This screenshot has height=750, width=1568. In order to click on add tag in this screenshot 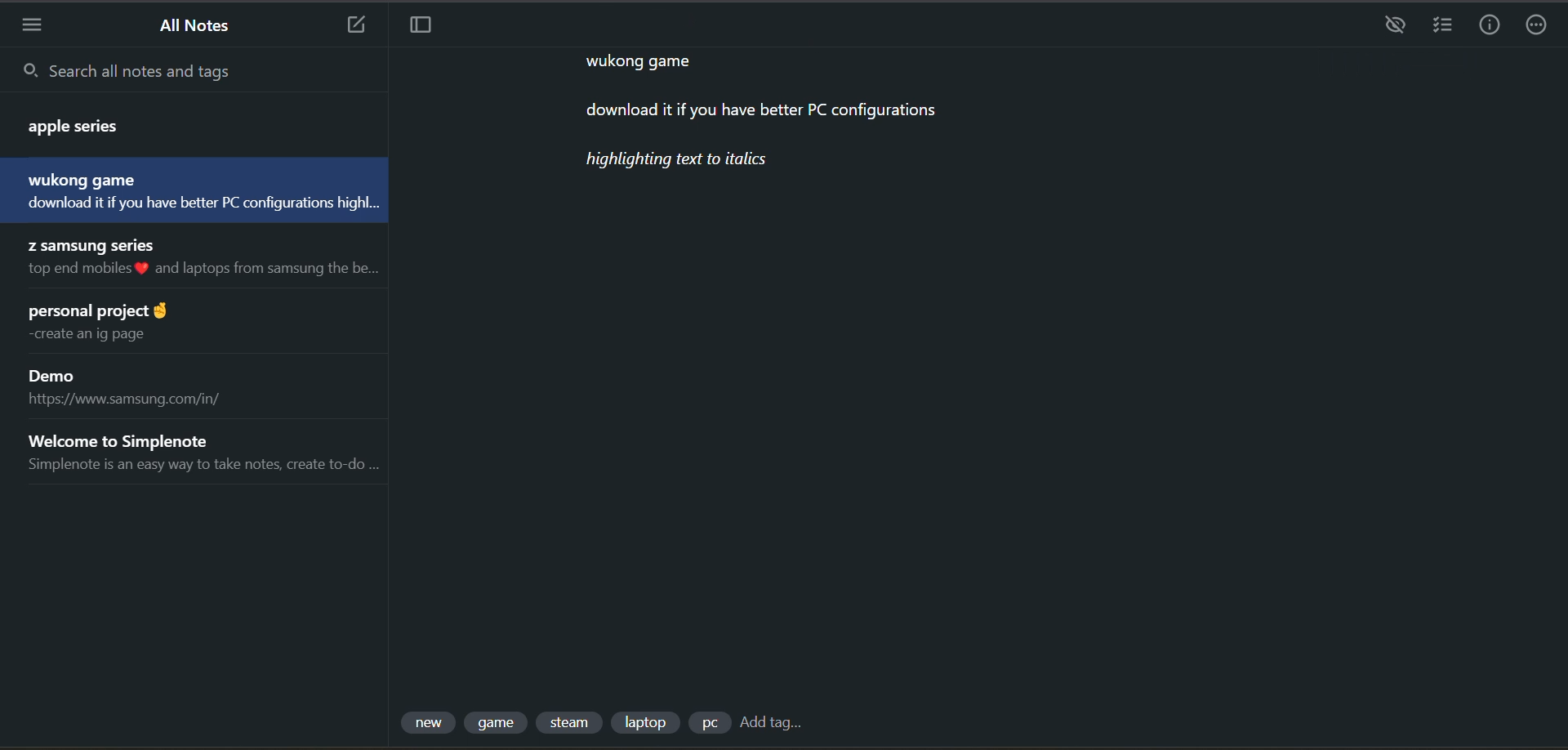, I will do `click(770, 725)`.